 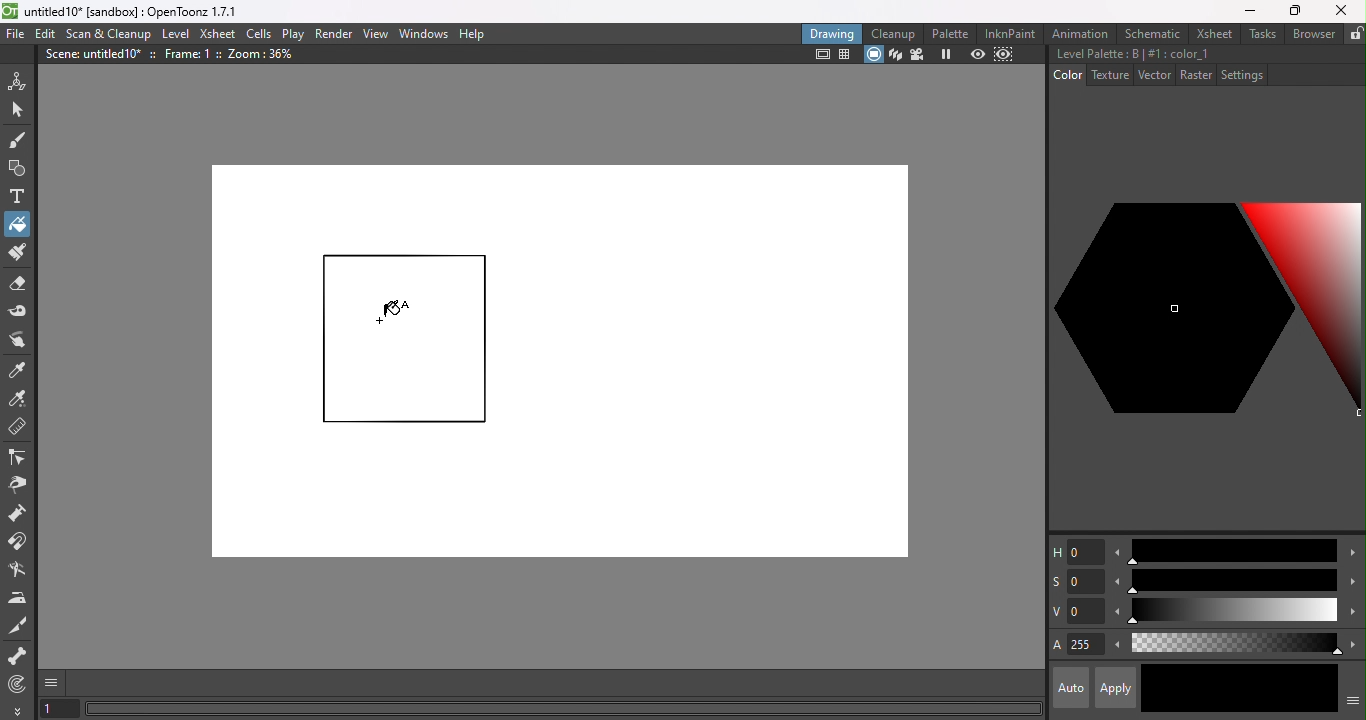 I want to click on Style picker tool, so click(x=22, y=368).